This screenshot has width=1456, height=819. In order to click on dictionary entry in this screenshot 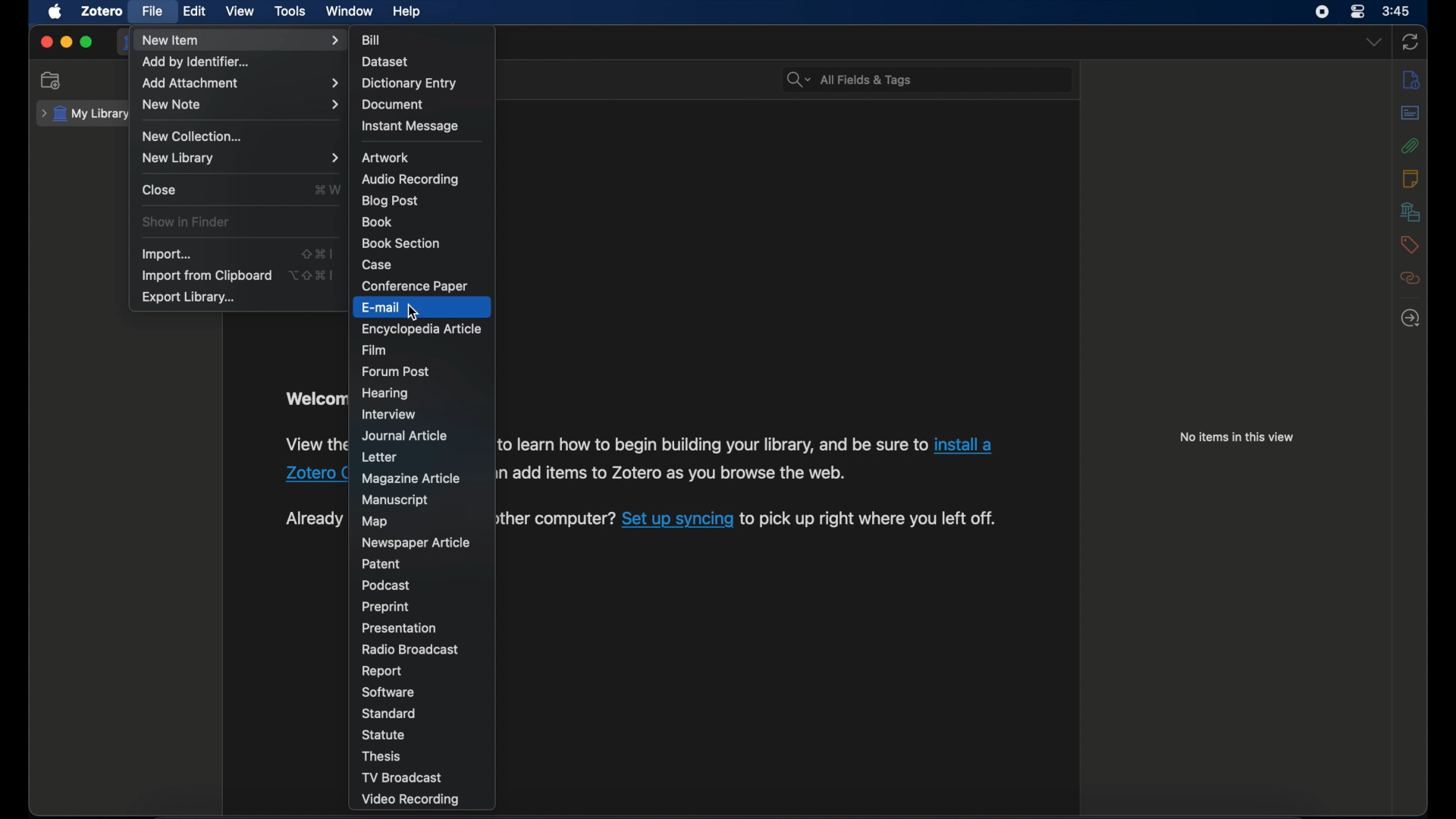, I will do `click(409, 83)`.